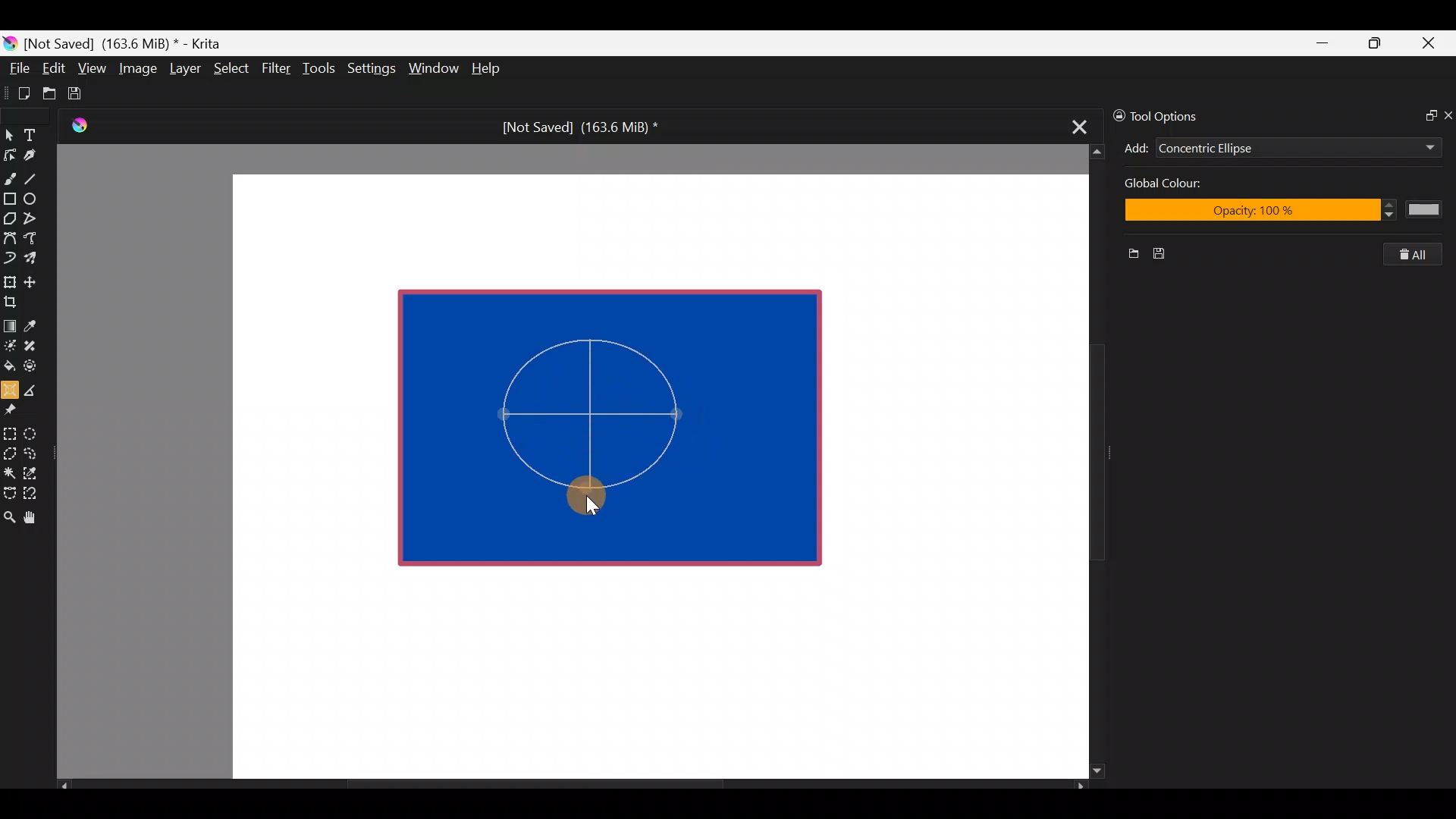  What do you see at coordinates (232, 67) in the screenshot?
I see `Select` at bounding box center [232, 67].